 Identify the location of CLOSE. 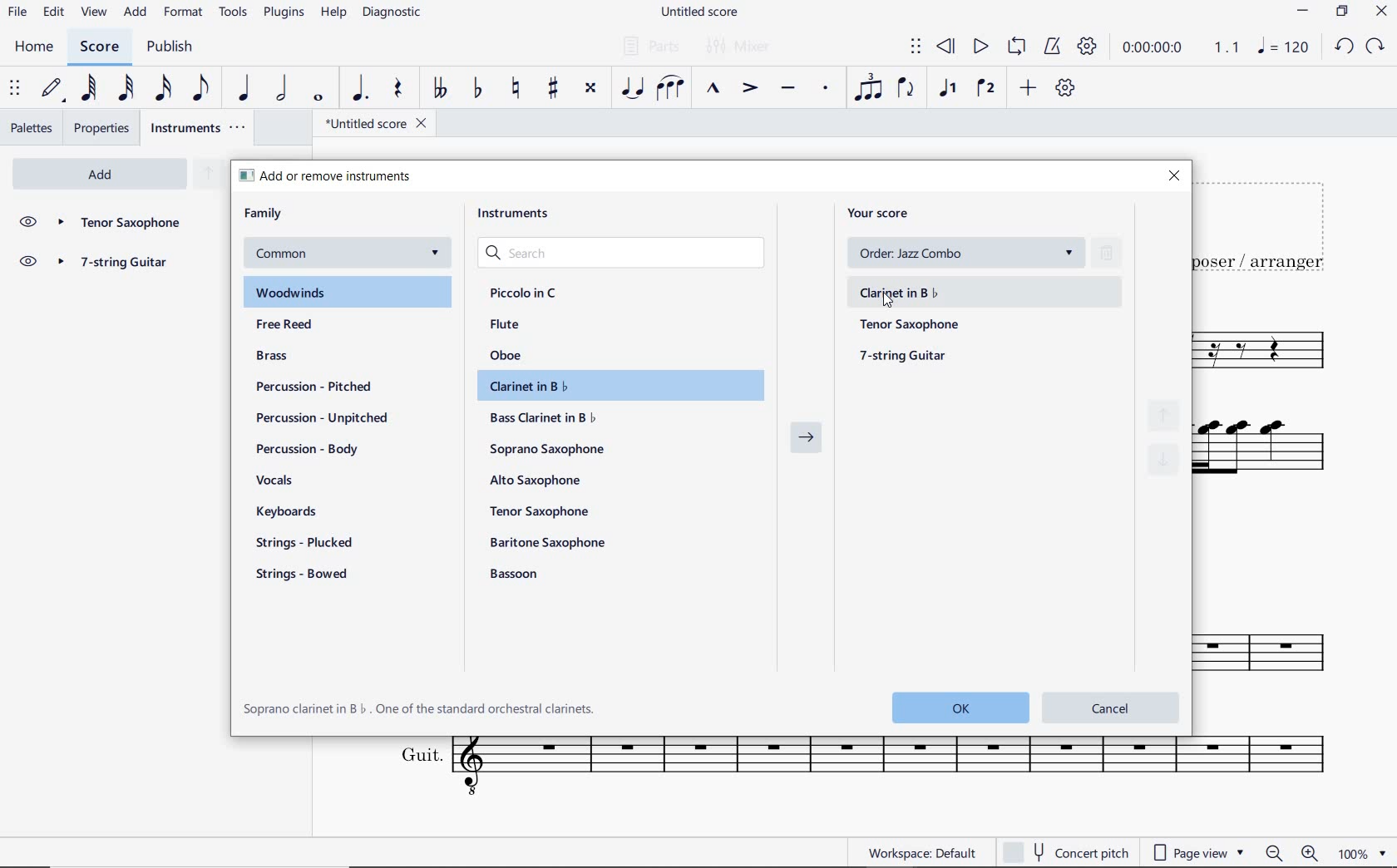
(1381, 12).